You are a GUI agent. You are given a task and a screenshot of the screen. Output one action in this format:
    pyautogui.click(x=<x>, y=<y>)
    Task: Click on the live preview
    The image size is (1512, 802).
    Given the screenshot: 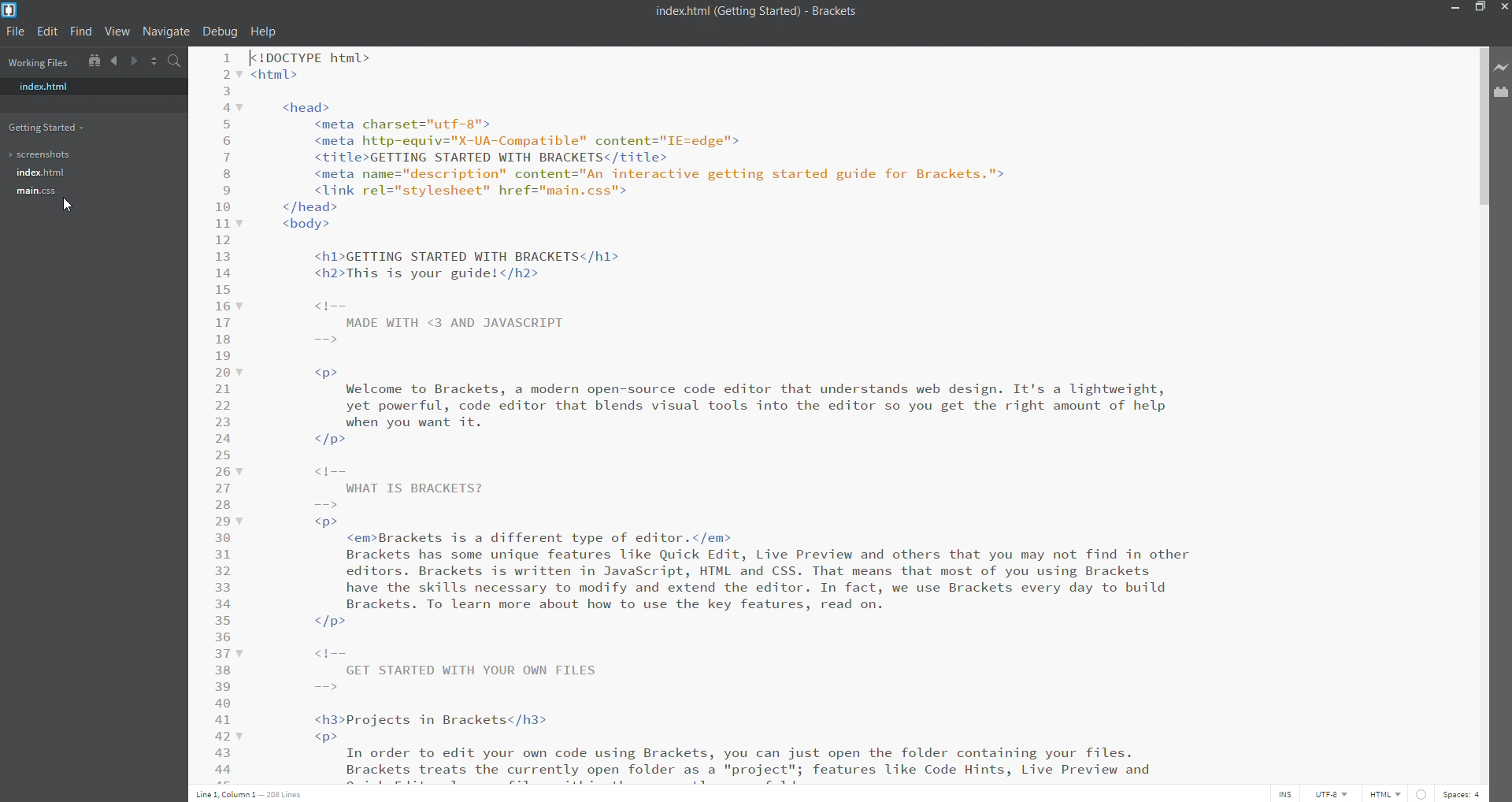 What is the action you would take?
    pyautogui.click(x=1502, y=70)
    